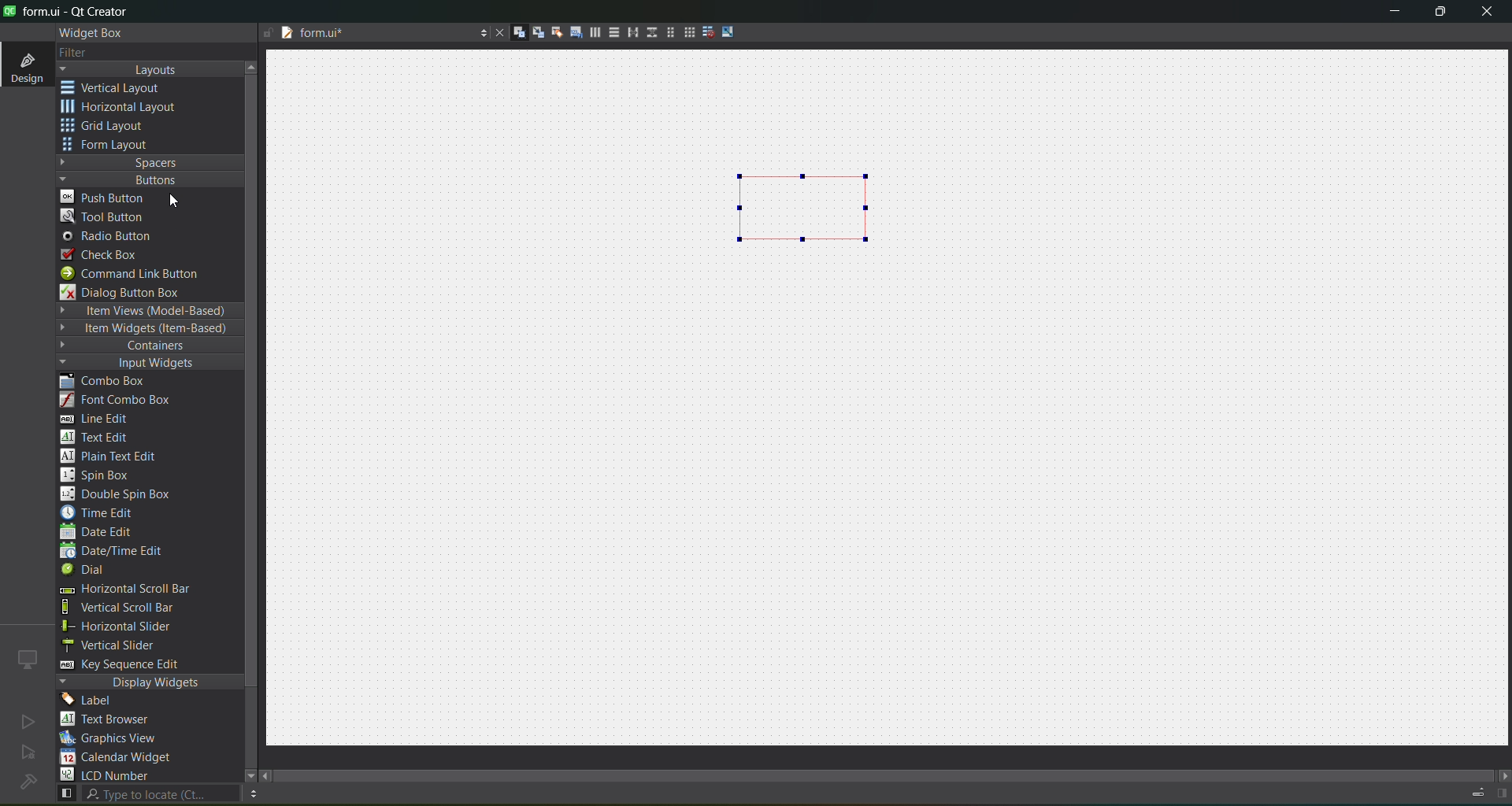 This screenshot has width=1512, height=806. Describe the element at coordinates (118, 759) in the screenshot. I see `calendar` at that location.